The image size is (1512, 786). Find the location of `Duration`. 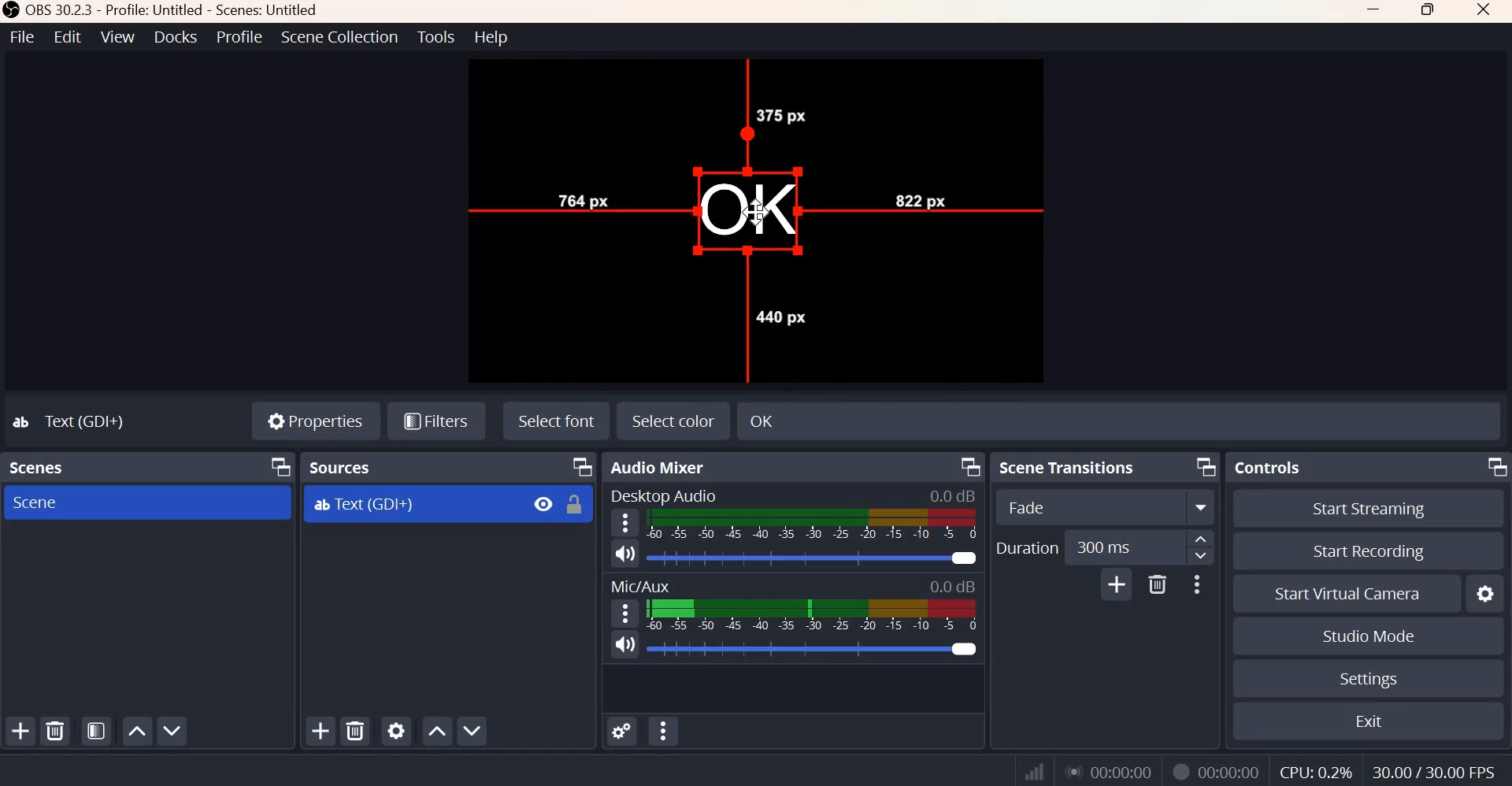

Duration is located at coordinates (1026, 547).